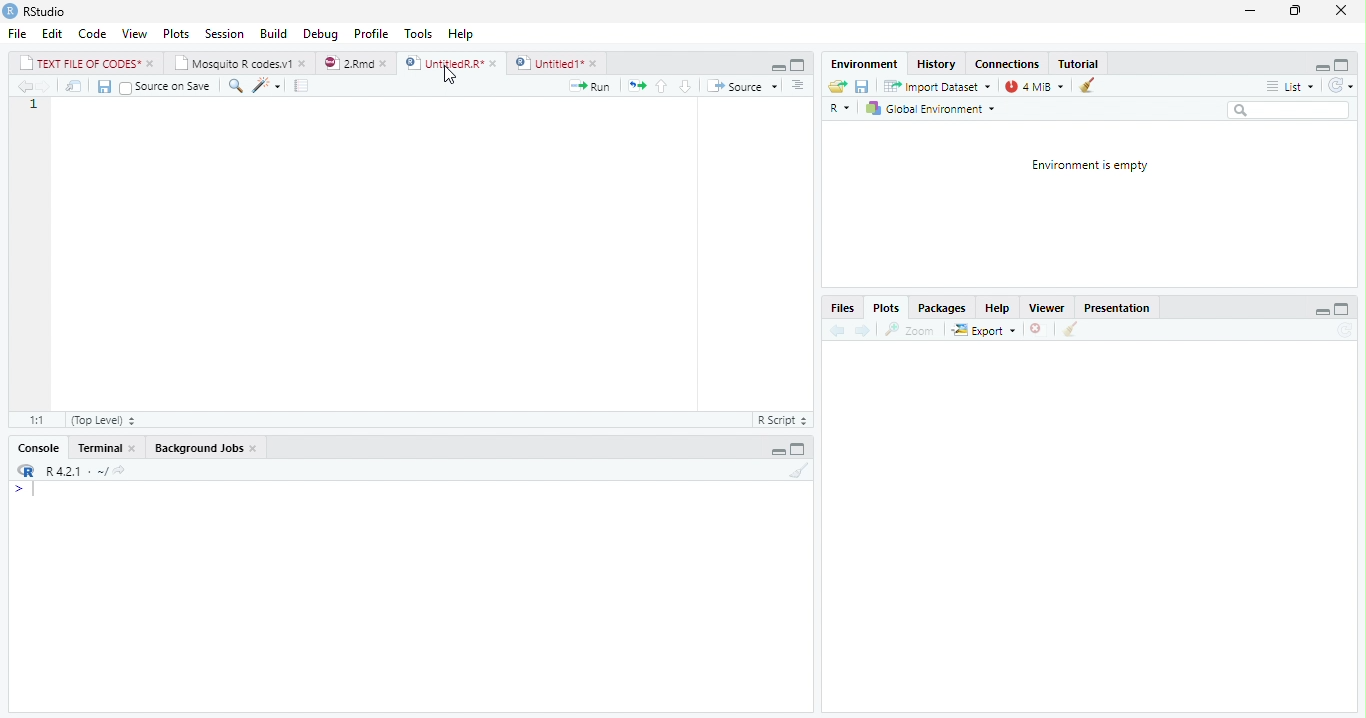 The height and width of the screenshot is (718, 1366). I want to click on Mosautto & cosesy, so click(244, 64).